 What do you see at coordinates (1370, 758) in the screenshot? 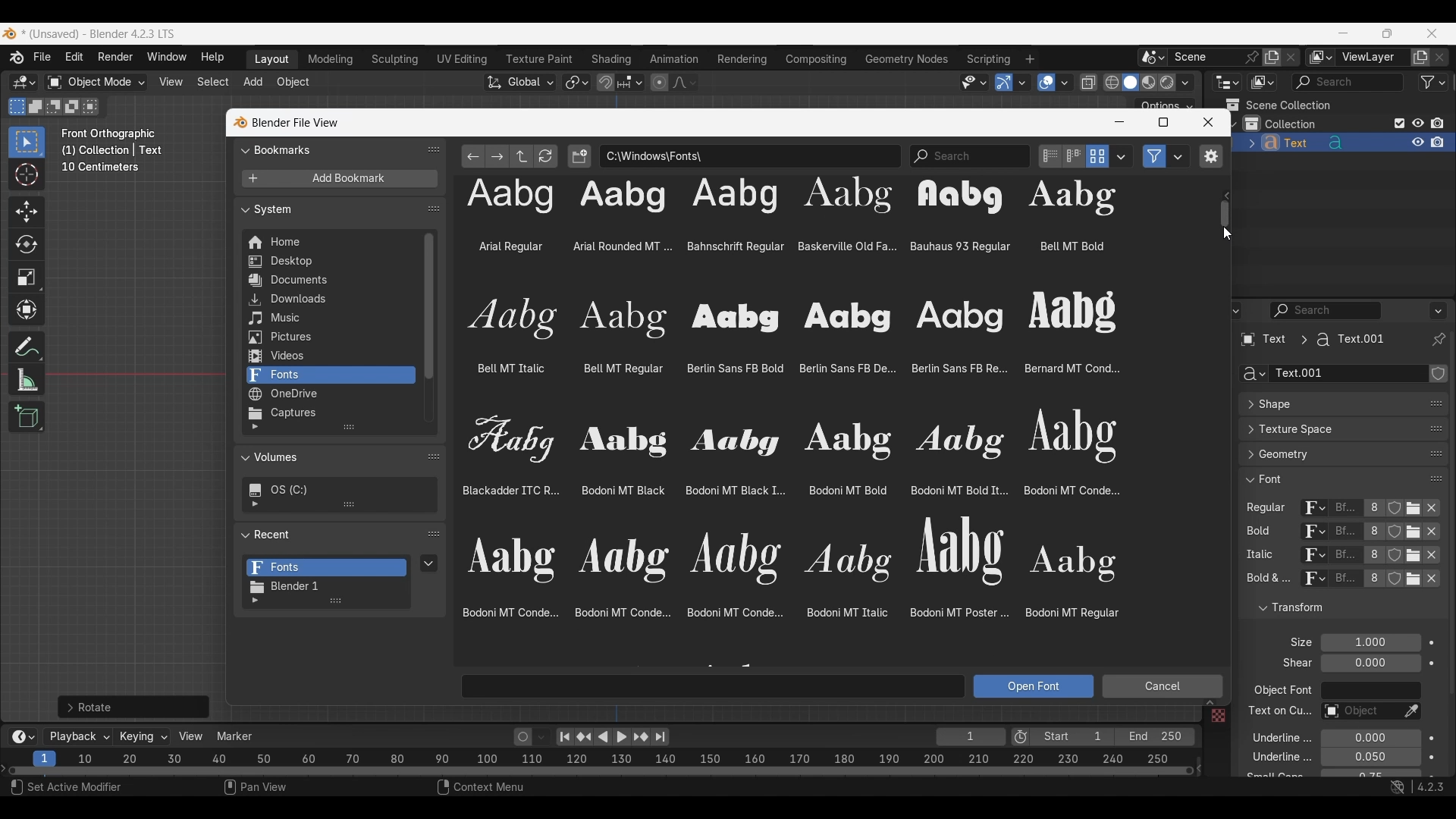
I see `Underline Thickness` at bounding box center [1370, 758].